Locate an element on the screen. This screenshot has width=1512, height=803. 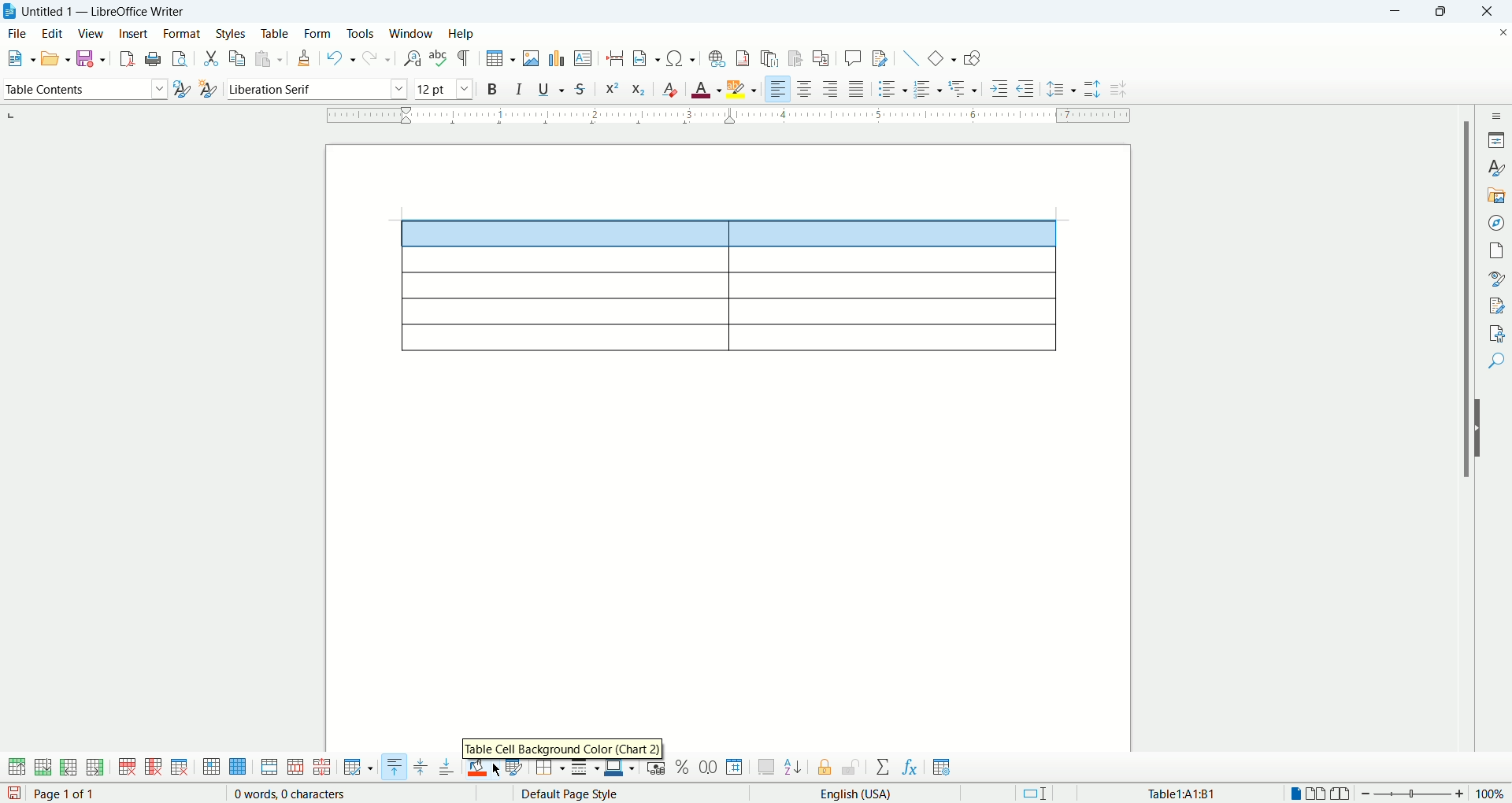
insert line is located at coordinates (911, 57).